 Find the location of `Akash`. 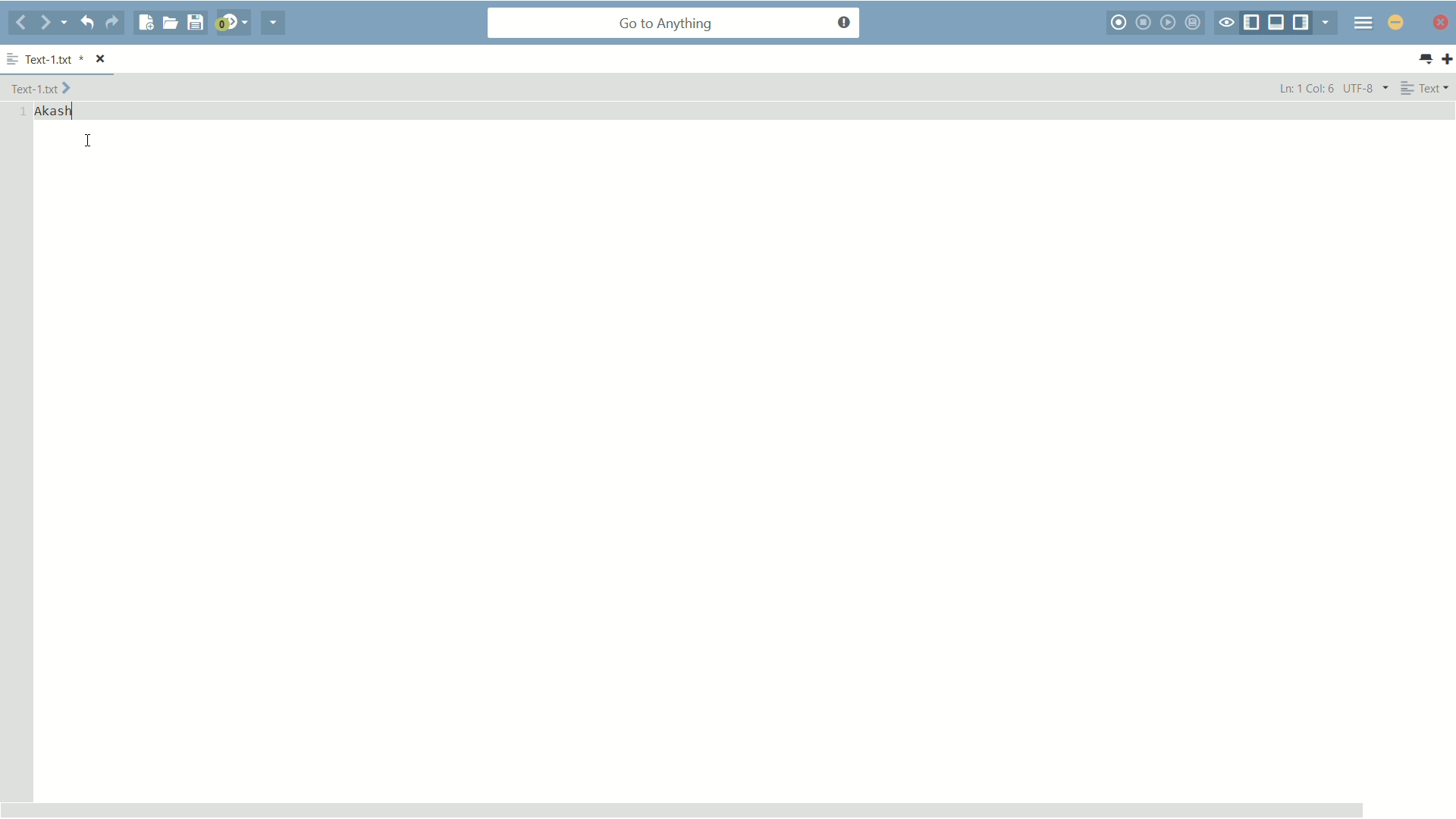

Akash is located at coordinates (58, 111).